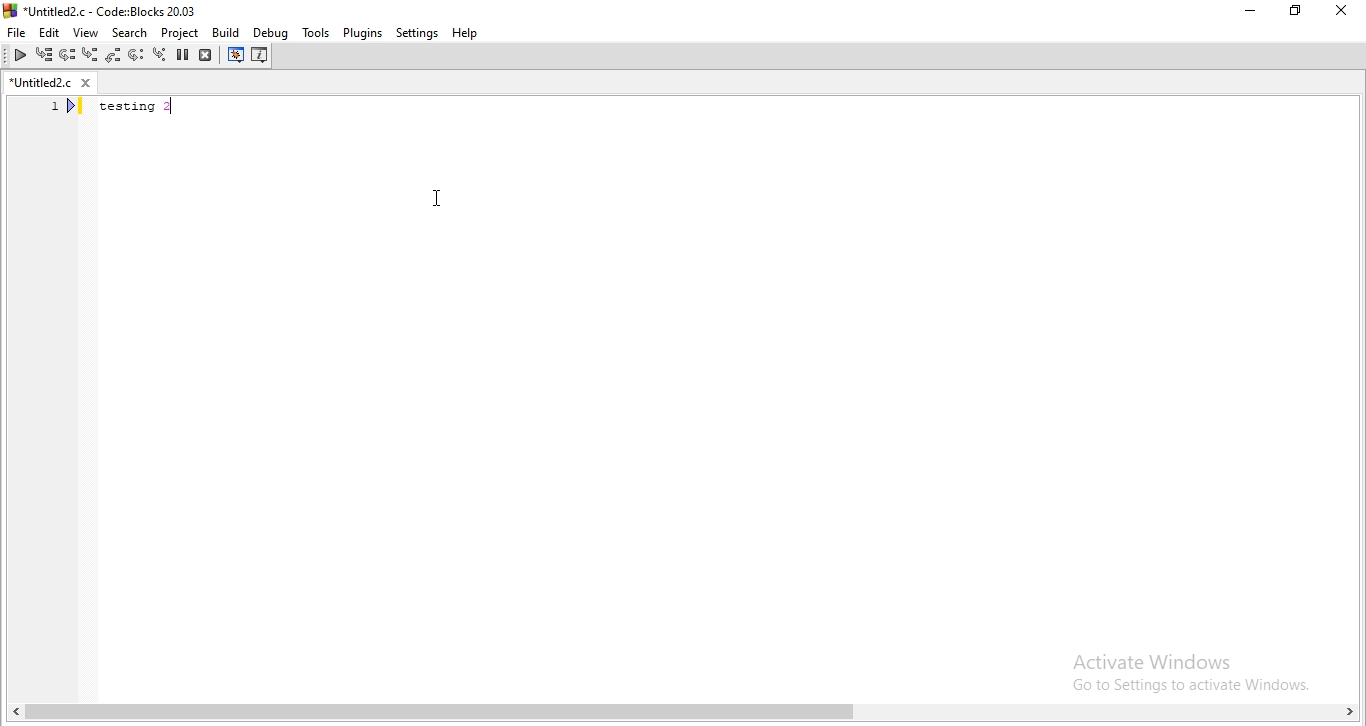 This screenshot has width=1366, height=726. Describe the element at coordinates (42, 54) in the screenshot. I see `run to cursor` at that location.